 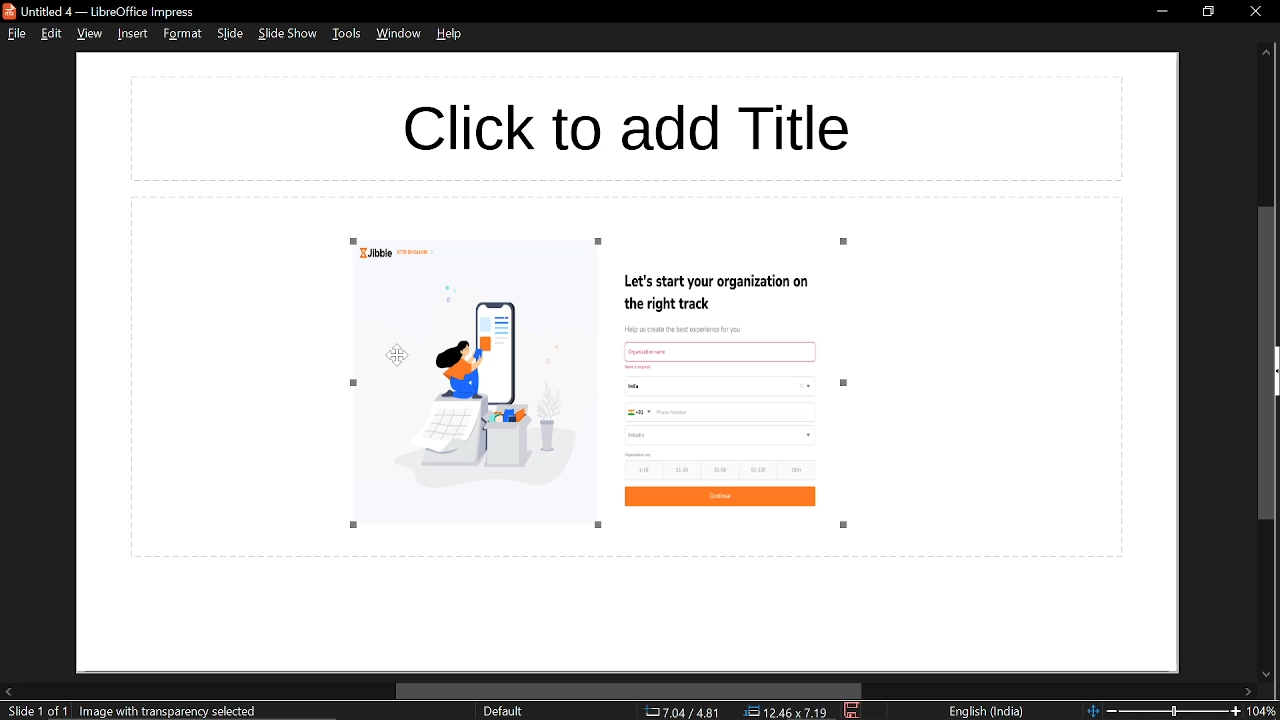 What do you see at coordinates (852, 711) in the screenshot?
I see `save` at bounding box center [852, 711].